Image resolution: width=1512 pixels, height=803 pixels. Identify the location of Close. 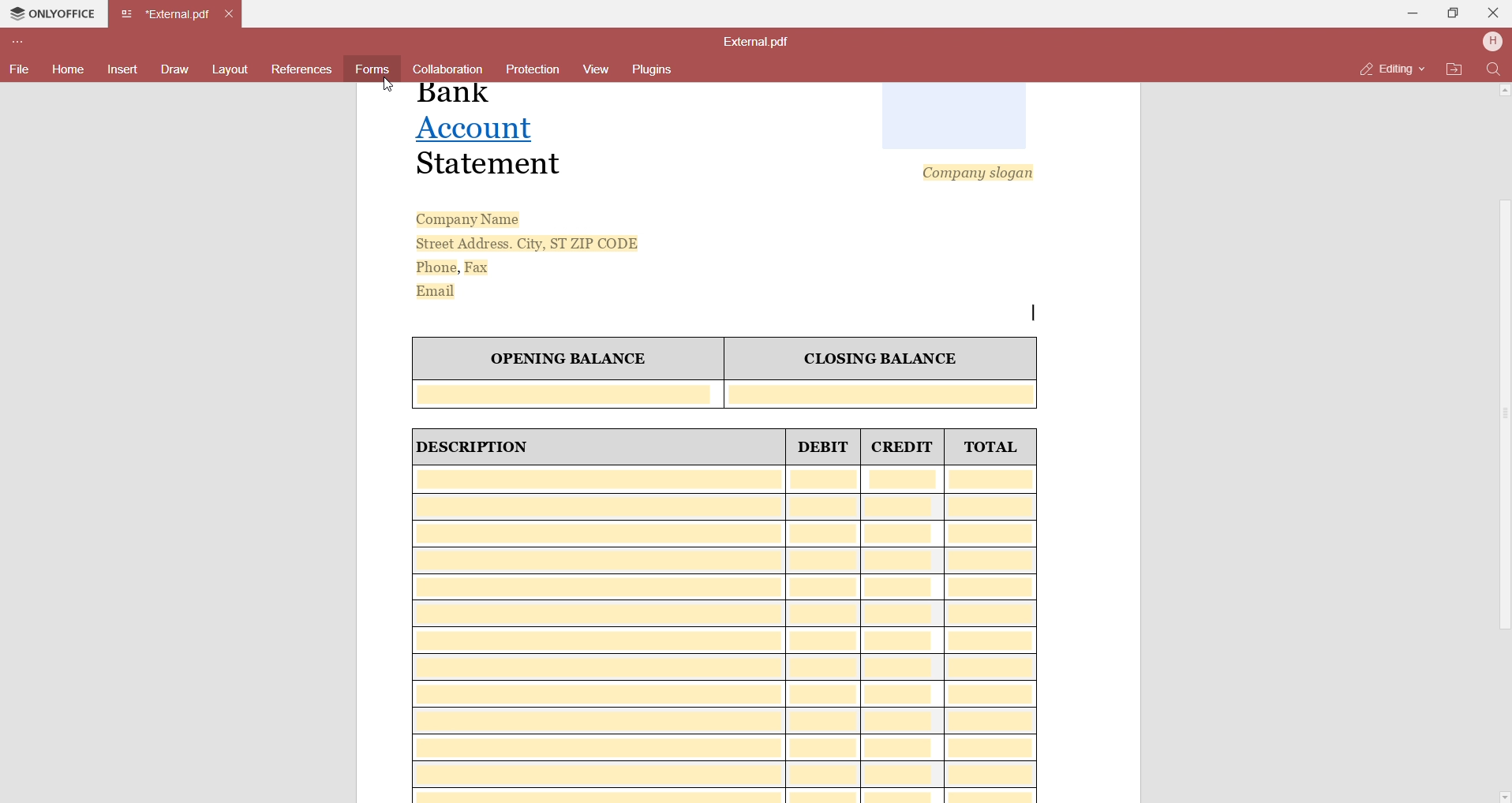
(1491, 13).